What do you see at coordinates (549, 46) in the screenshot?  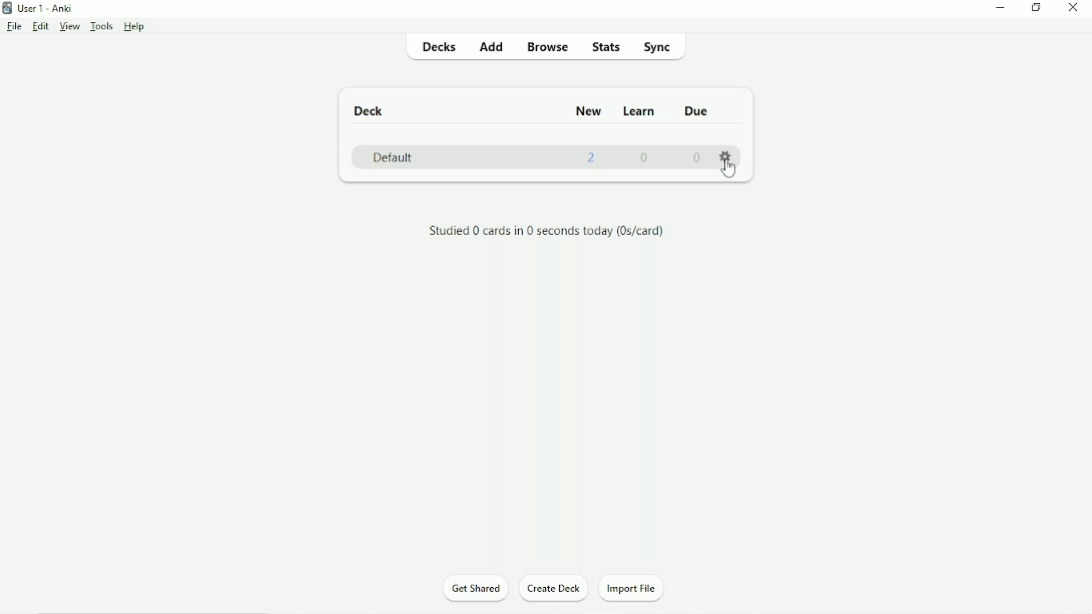 I see `Browse` at bounding box center [549, 46].